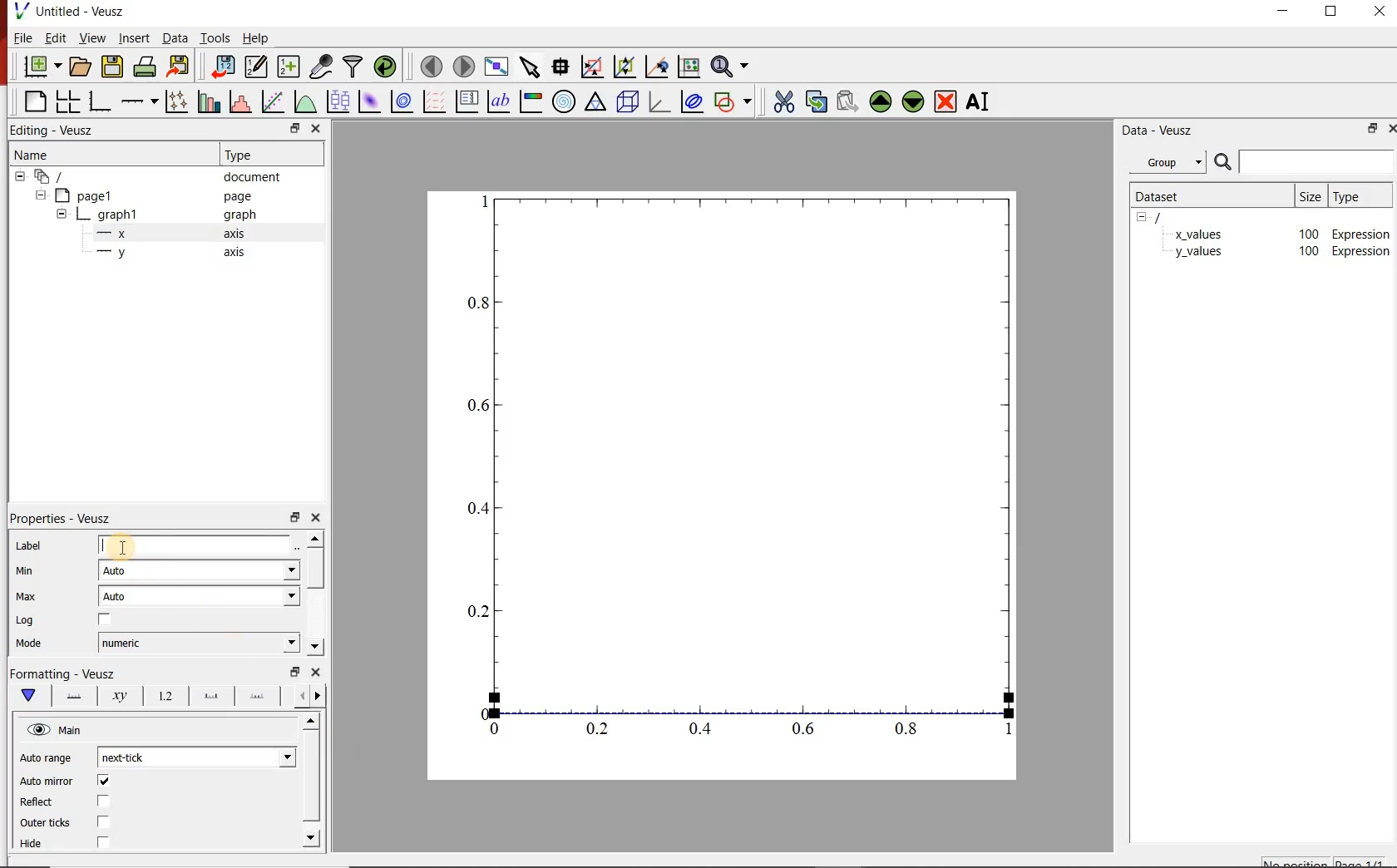 This screenshot has height=868, width=1397. Describe the element at coordinates (197, 757) in the screenshot. I see `next tick` at that location.